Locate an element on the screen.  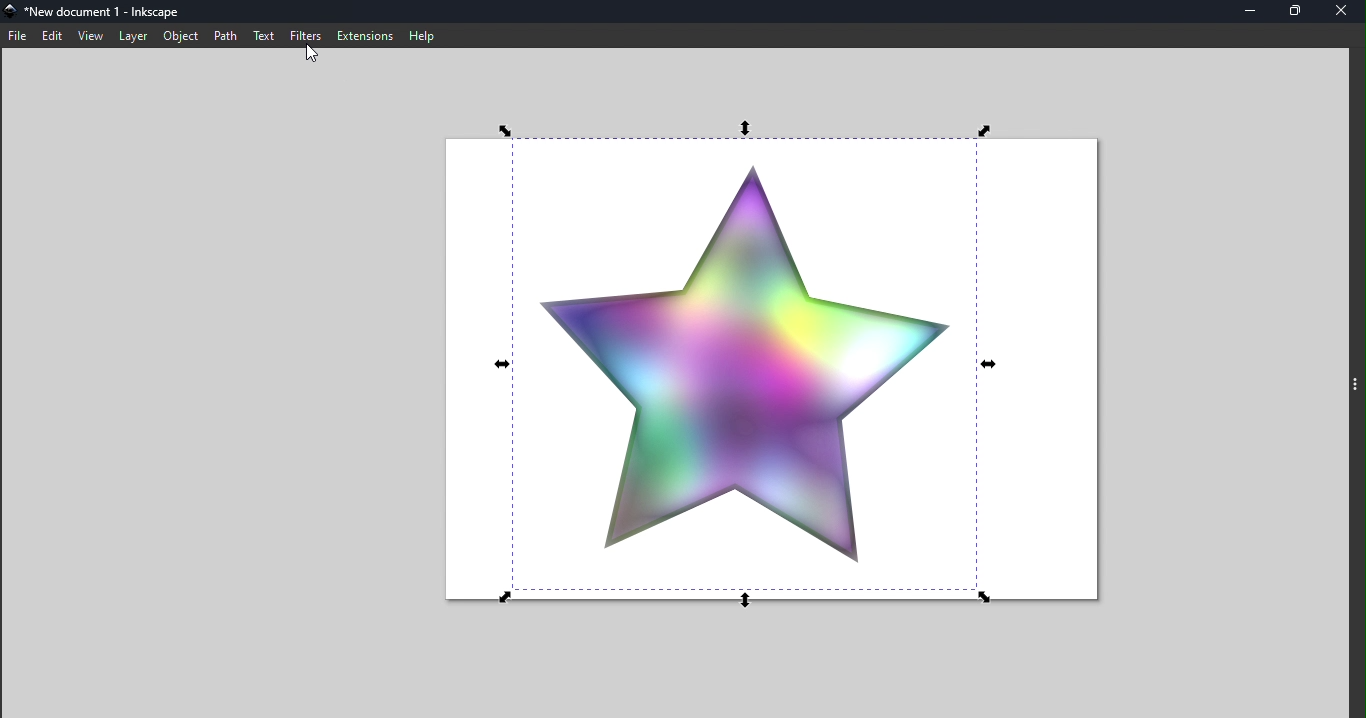
Close is located at coordinates (1343, 11).